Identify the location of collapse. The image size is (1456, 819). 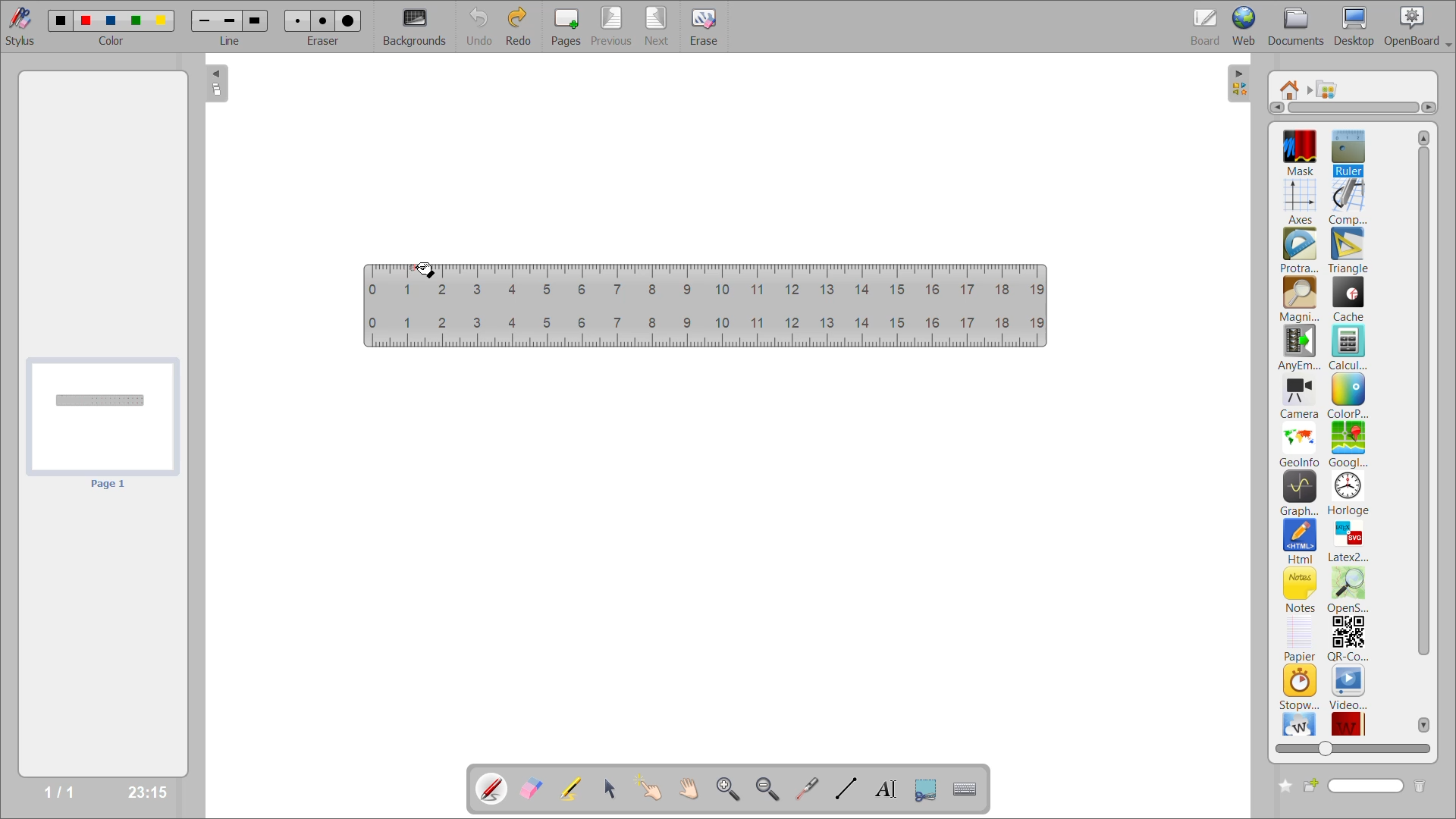
(1241, 84).